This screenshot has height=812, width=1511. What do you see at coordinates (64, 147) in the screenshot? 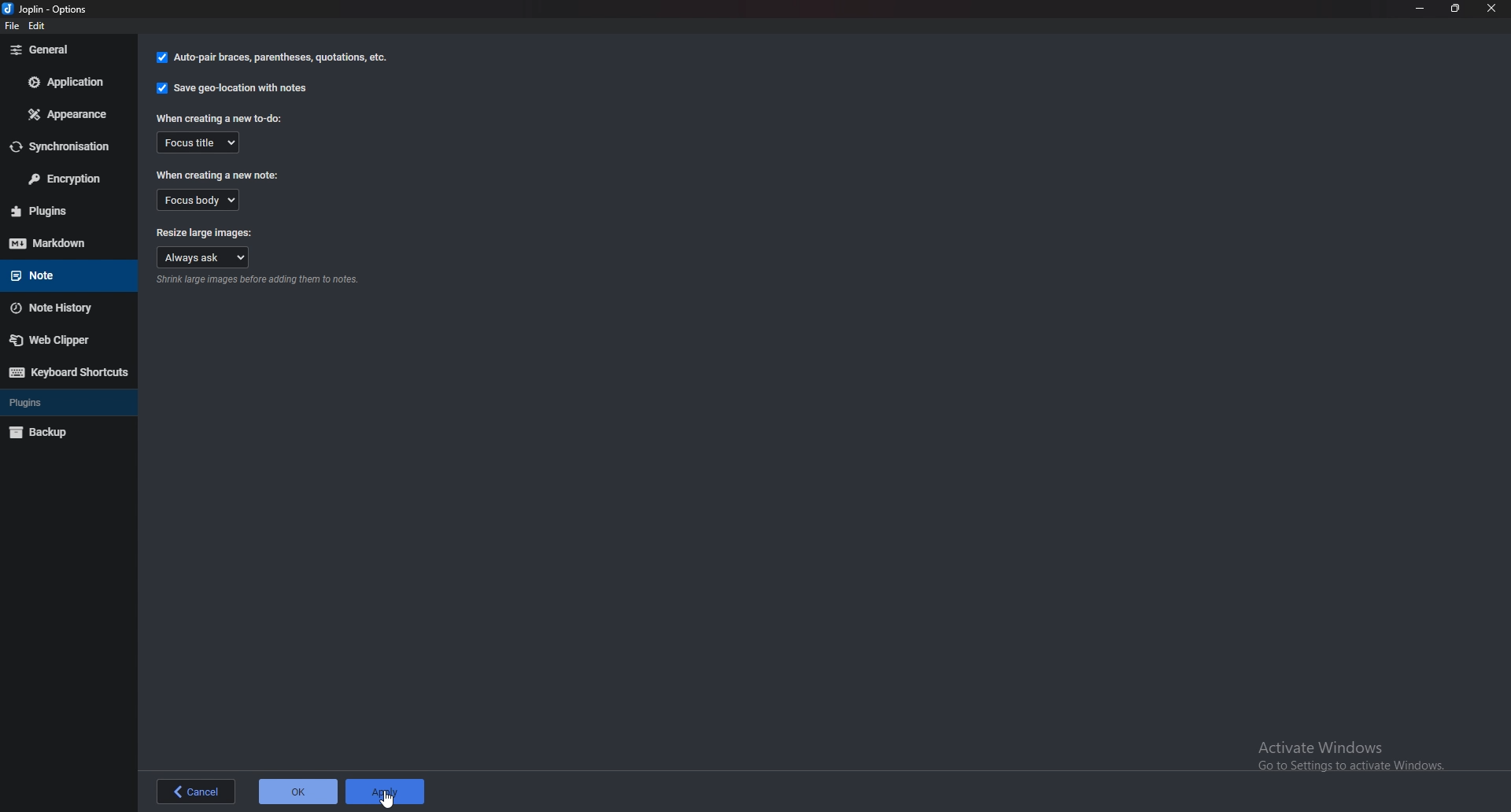
I see `Synchronize` at bounding box center [64, 147].